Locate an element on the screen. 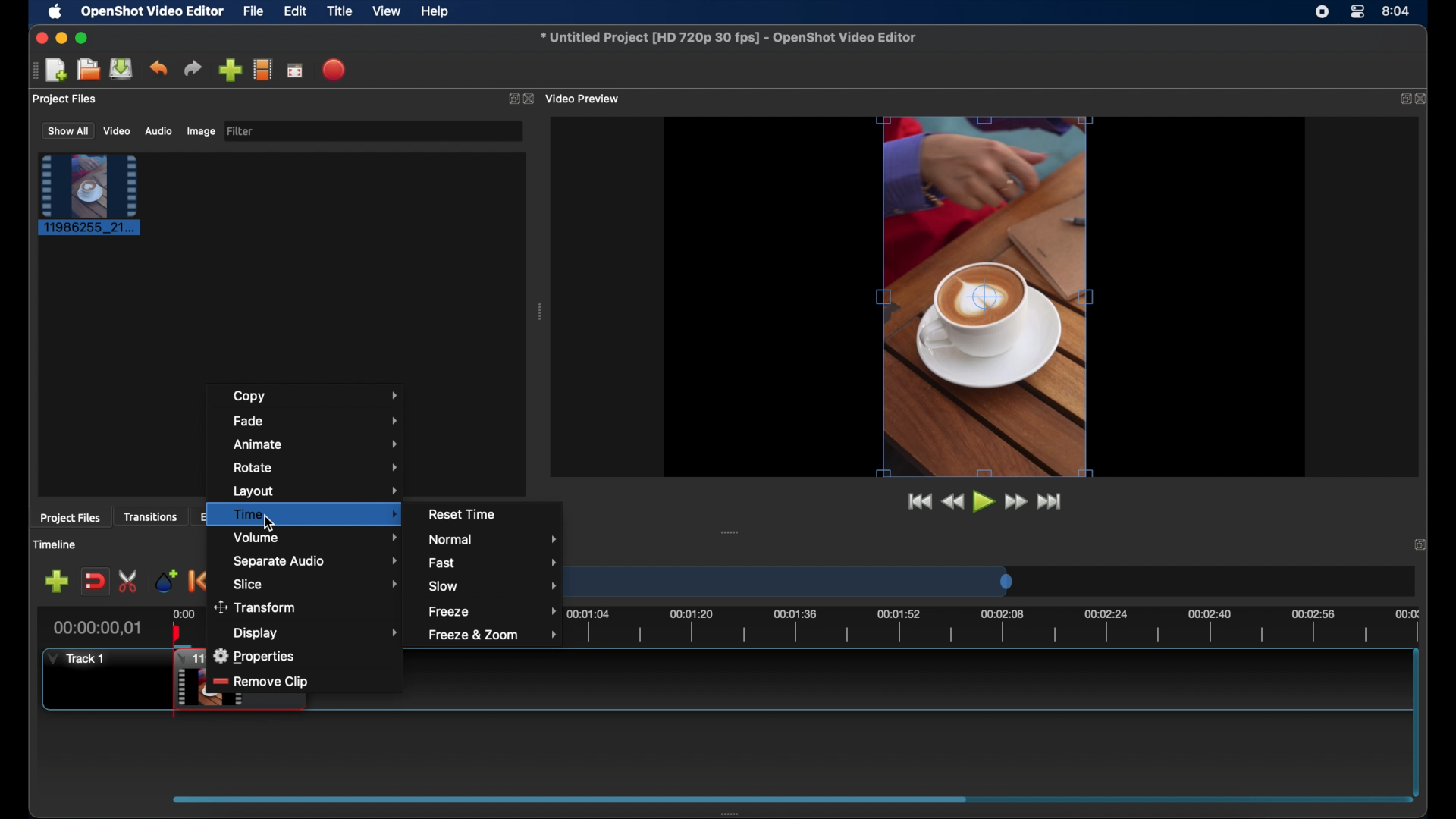 The width and height of the screenshot is (1456, 819). fade menu is located at coordinates (318, 421).